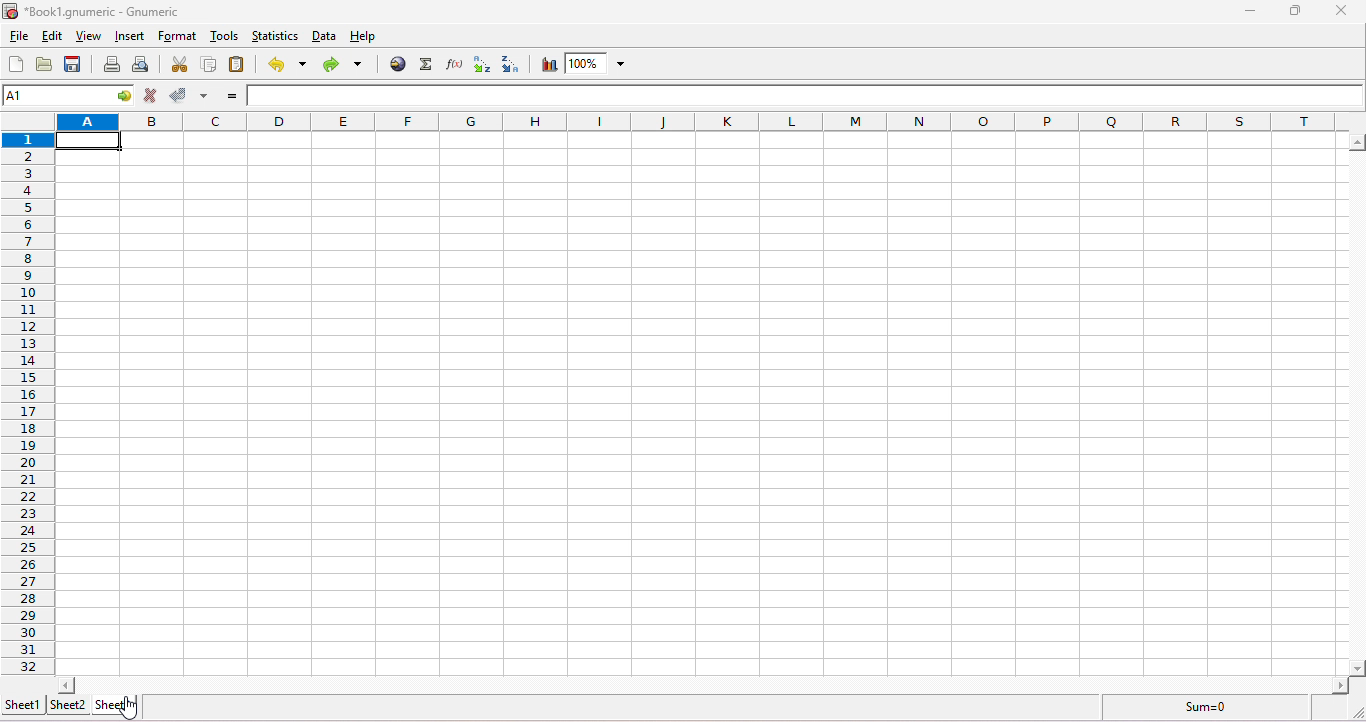  What do you see at coordinates (132, 37) in the screenshot?
I see `insert` at bounding box center [132, 37].